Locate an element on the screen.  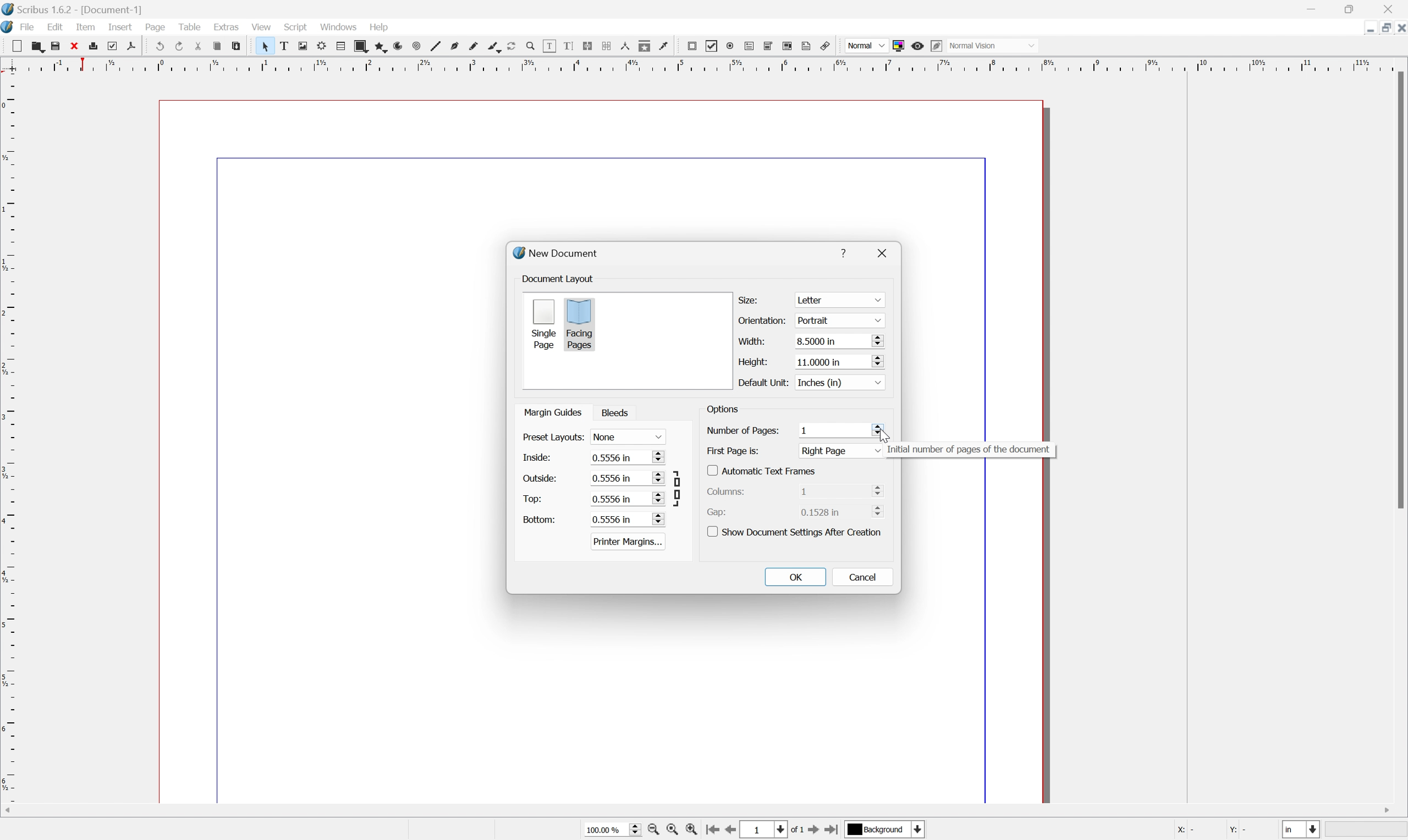
New is located at coordinates (16, 46).